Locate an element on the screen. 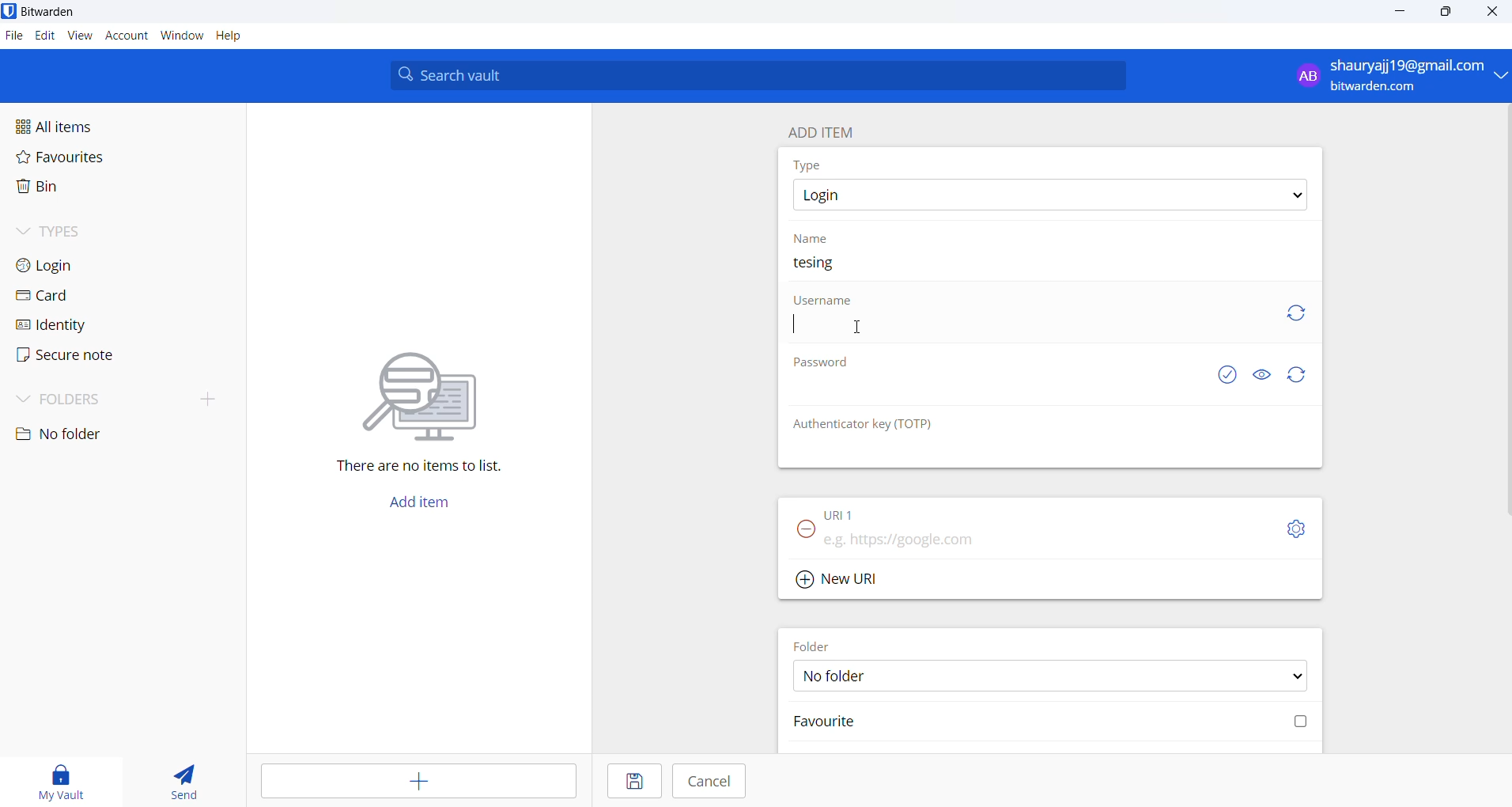 This screenshot has height=807, width=1512. Remove URL is located at coordinates (801, 534).